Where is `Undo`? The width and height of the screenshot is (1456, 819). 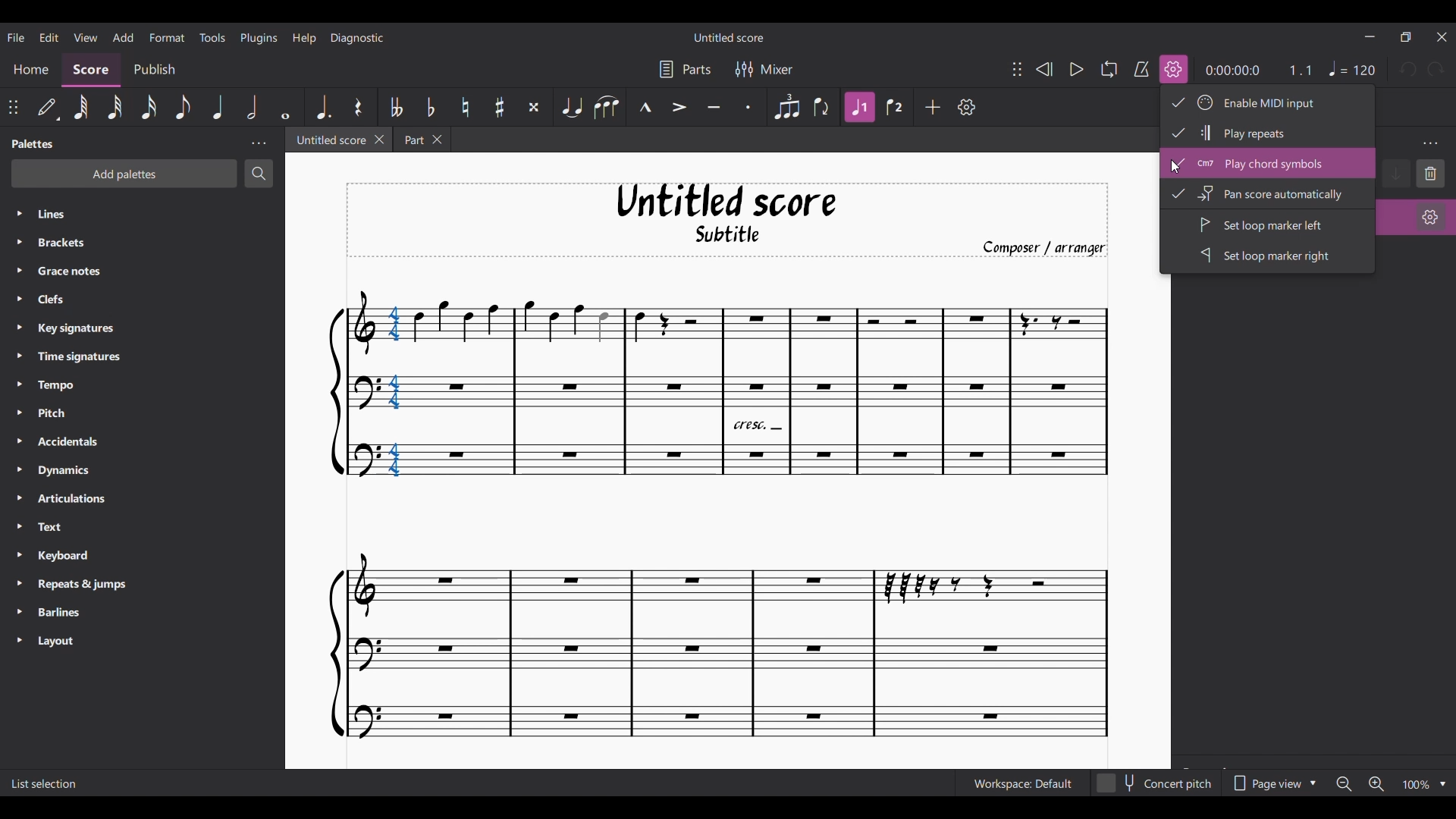
Undo is located at coordinates (1410, 69).